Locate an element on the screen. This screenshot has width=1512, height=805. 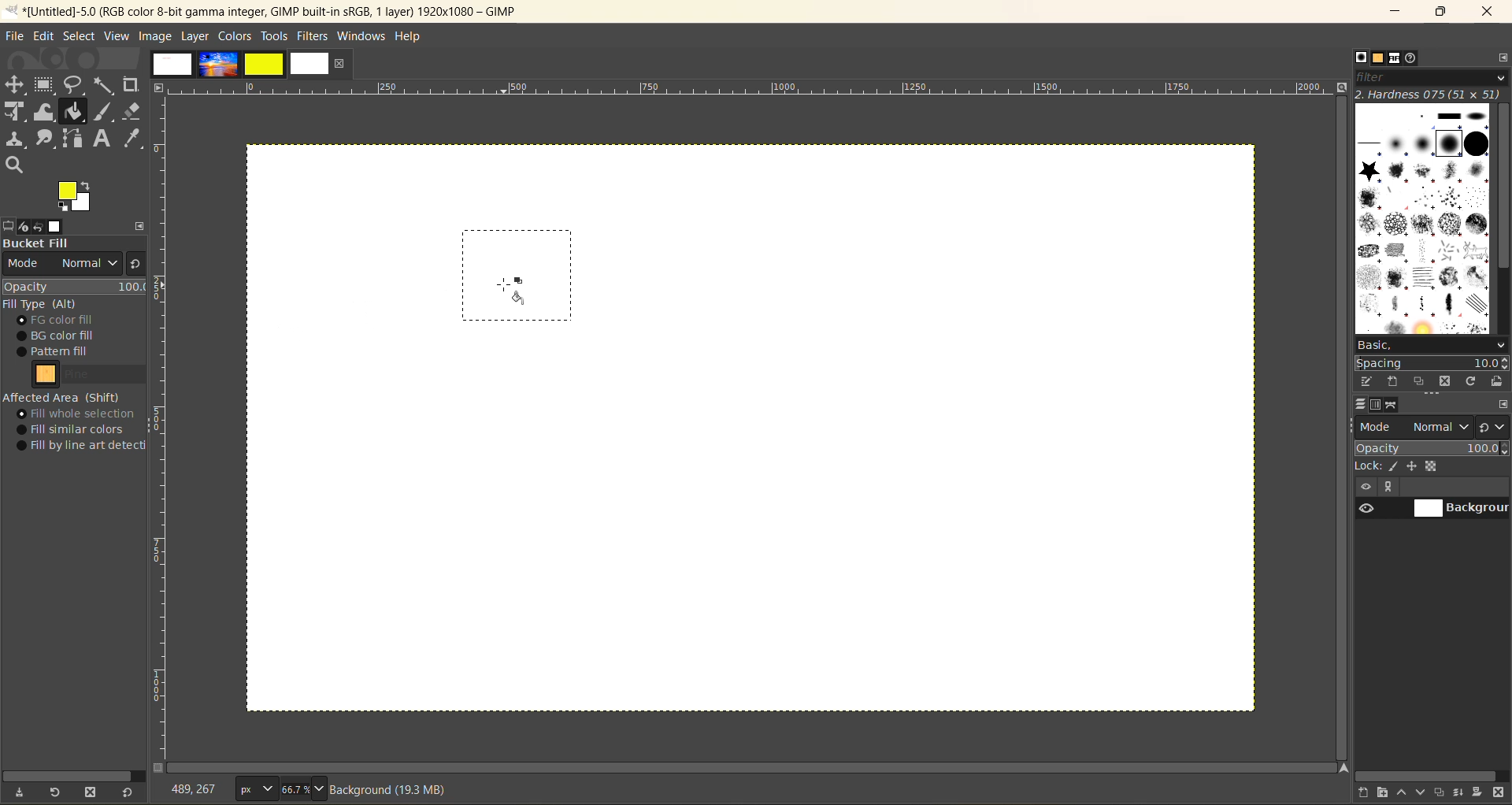
open brush image is located at coordinates (1498, 383).